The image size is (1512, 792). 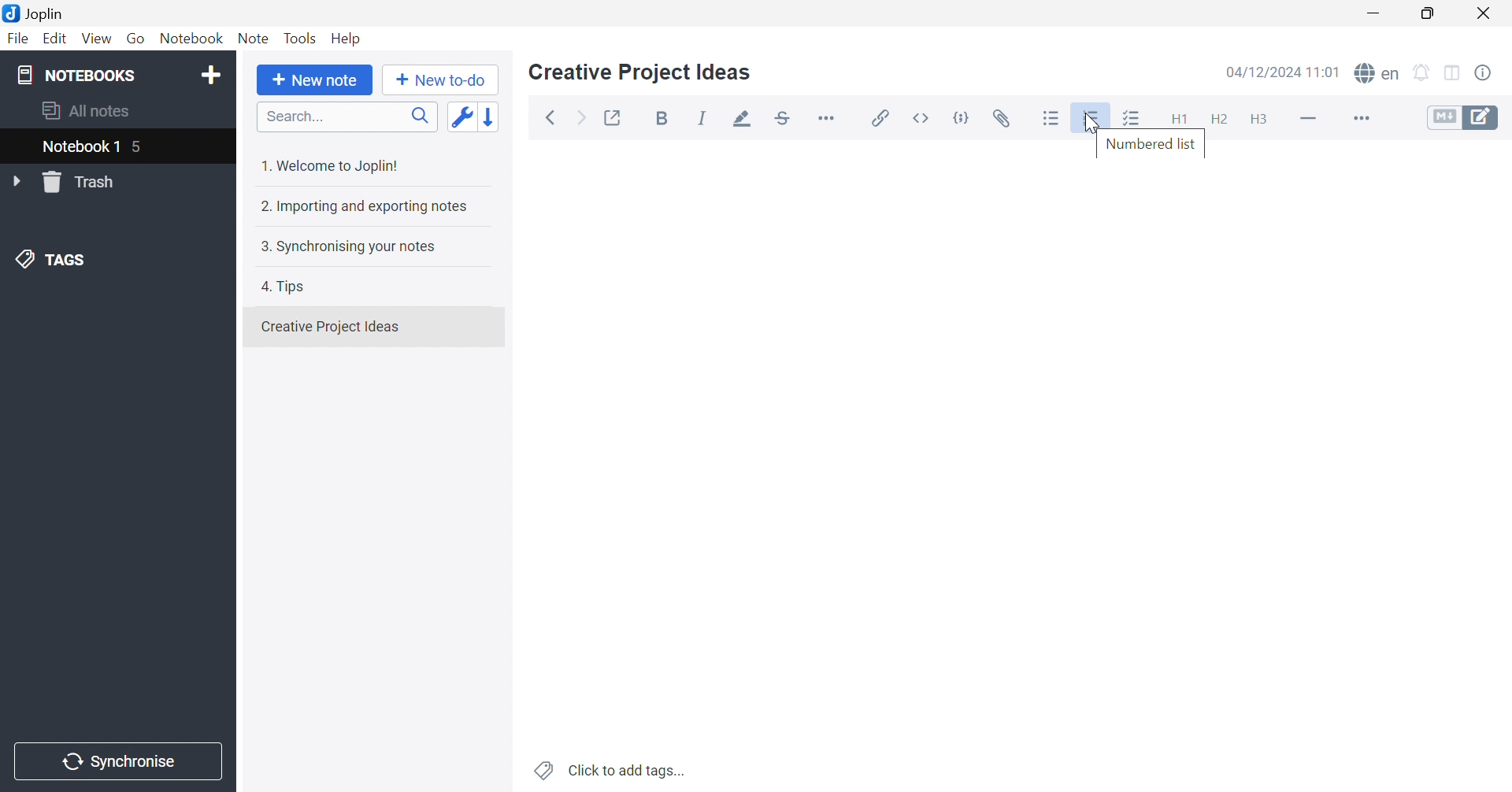 What do you see at coordinates (1092, 120) in the screenshot?
I see `Numbered list` at bounding box center [1092, 120].